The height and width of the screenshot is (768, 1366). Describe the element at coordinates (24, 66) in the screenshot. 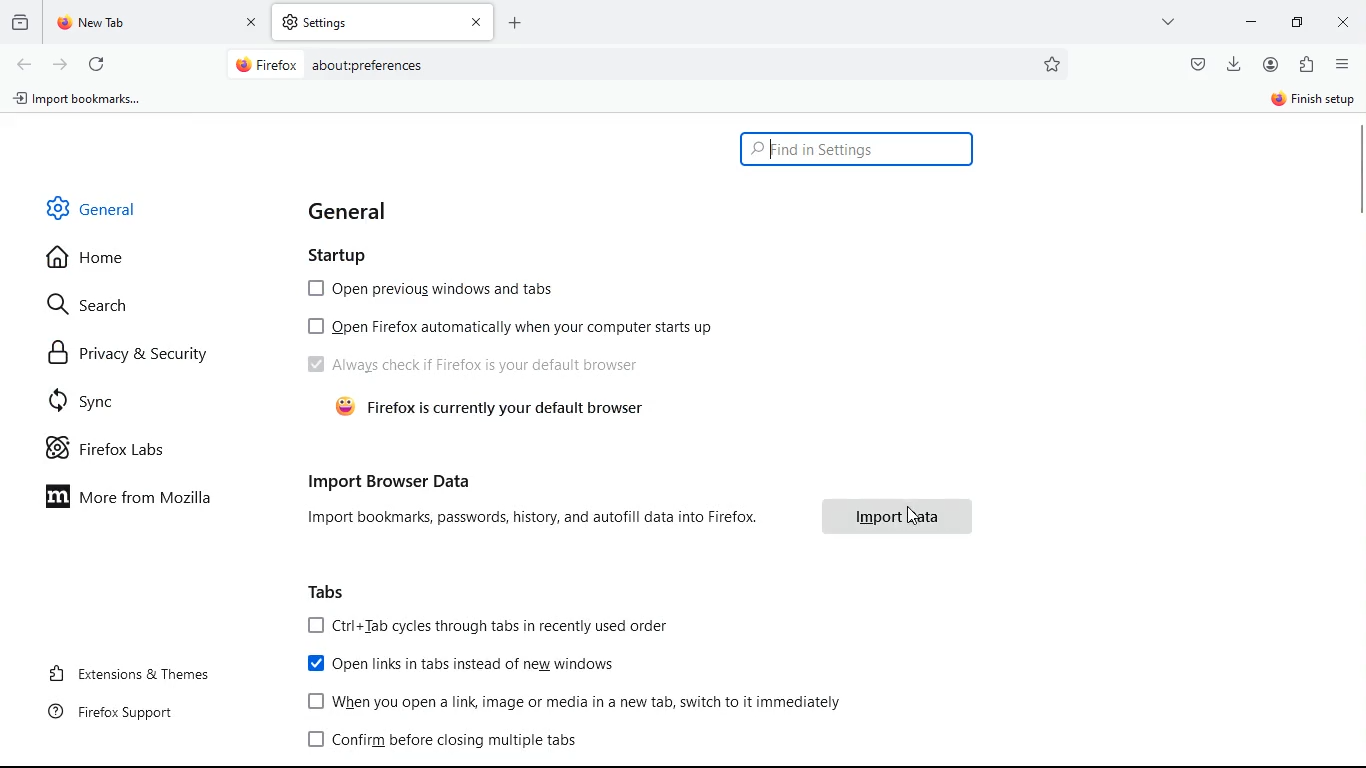

I see `back` at that location.